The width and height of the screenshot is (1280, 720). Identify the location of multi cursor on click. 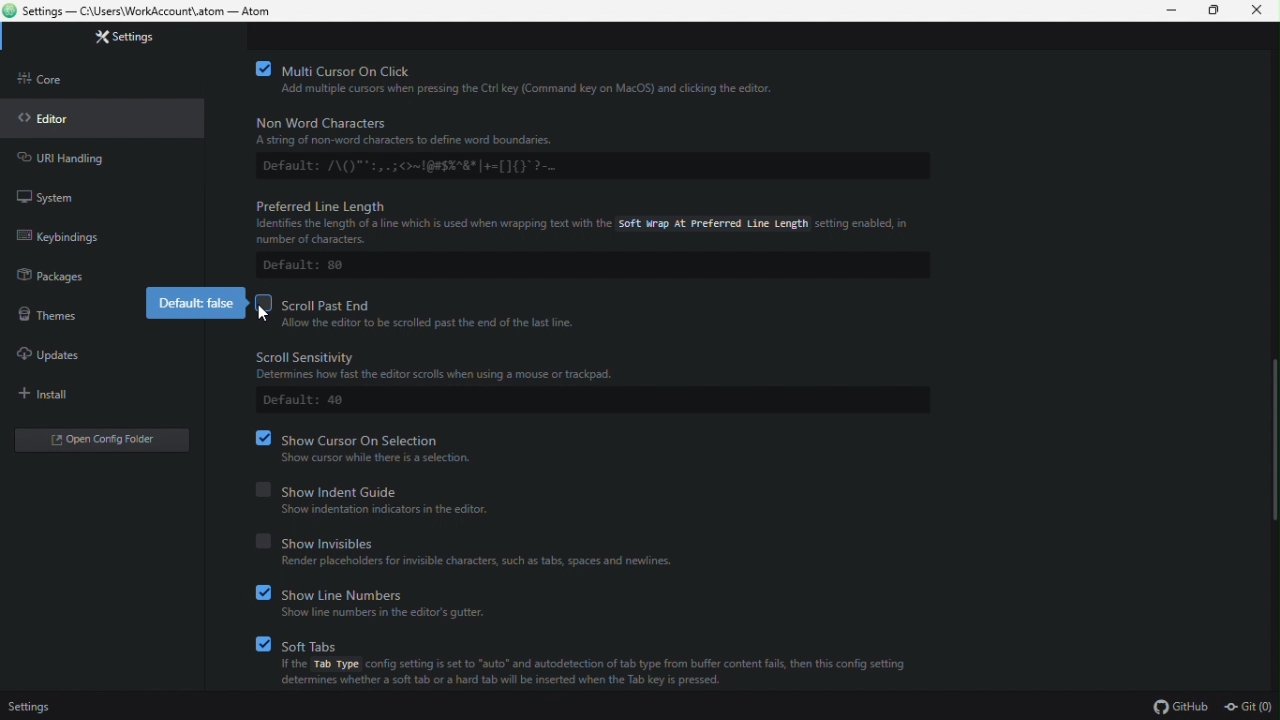
(530, 69).